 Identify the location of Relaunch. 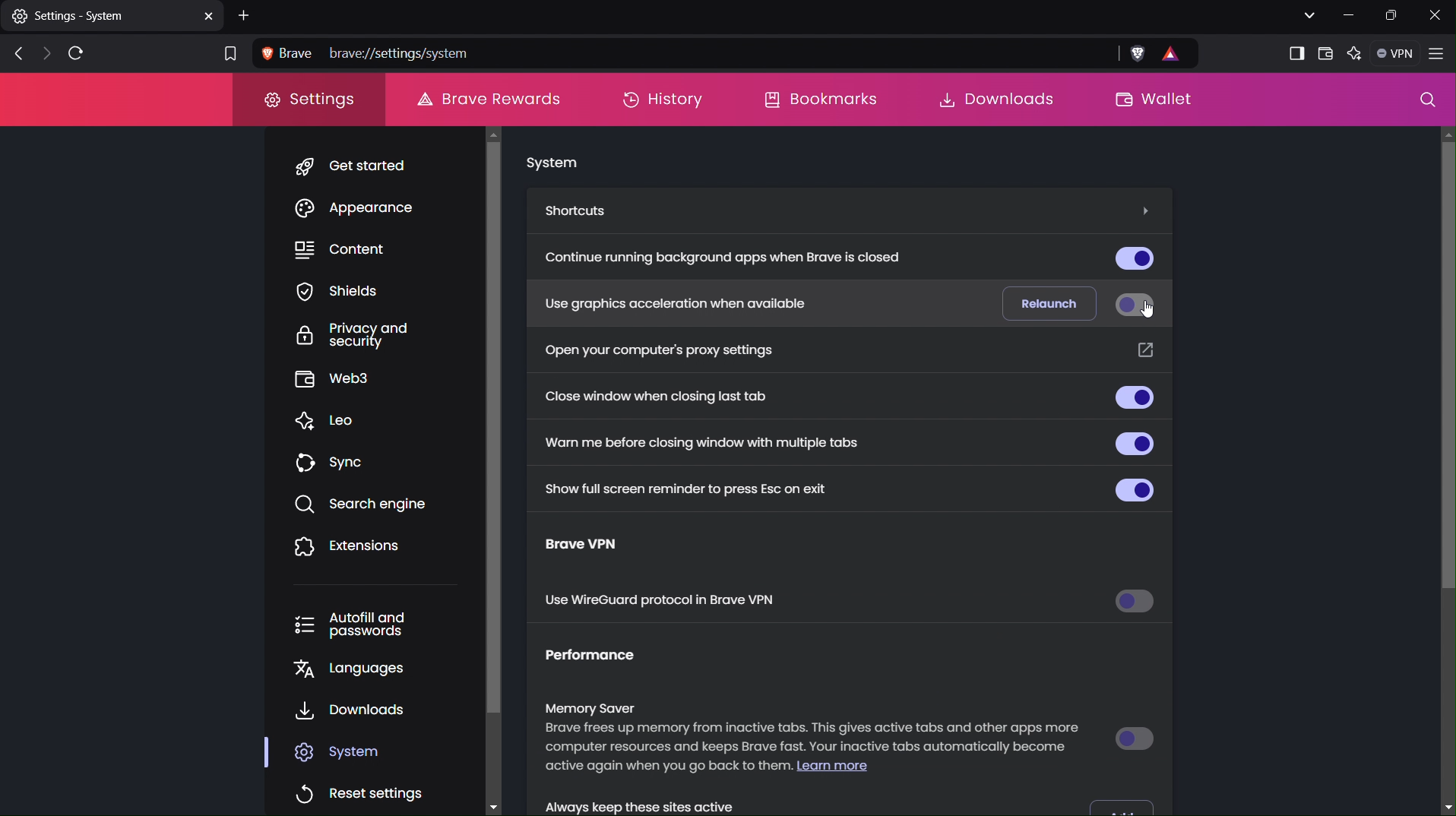
(1044, 301).